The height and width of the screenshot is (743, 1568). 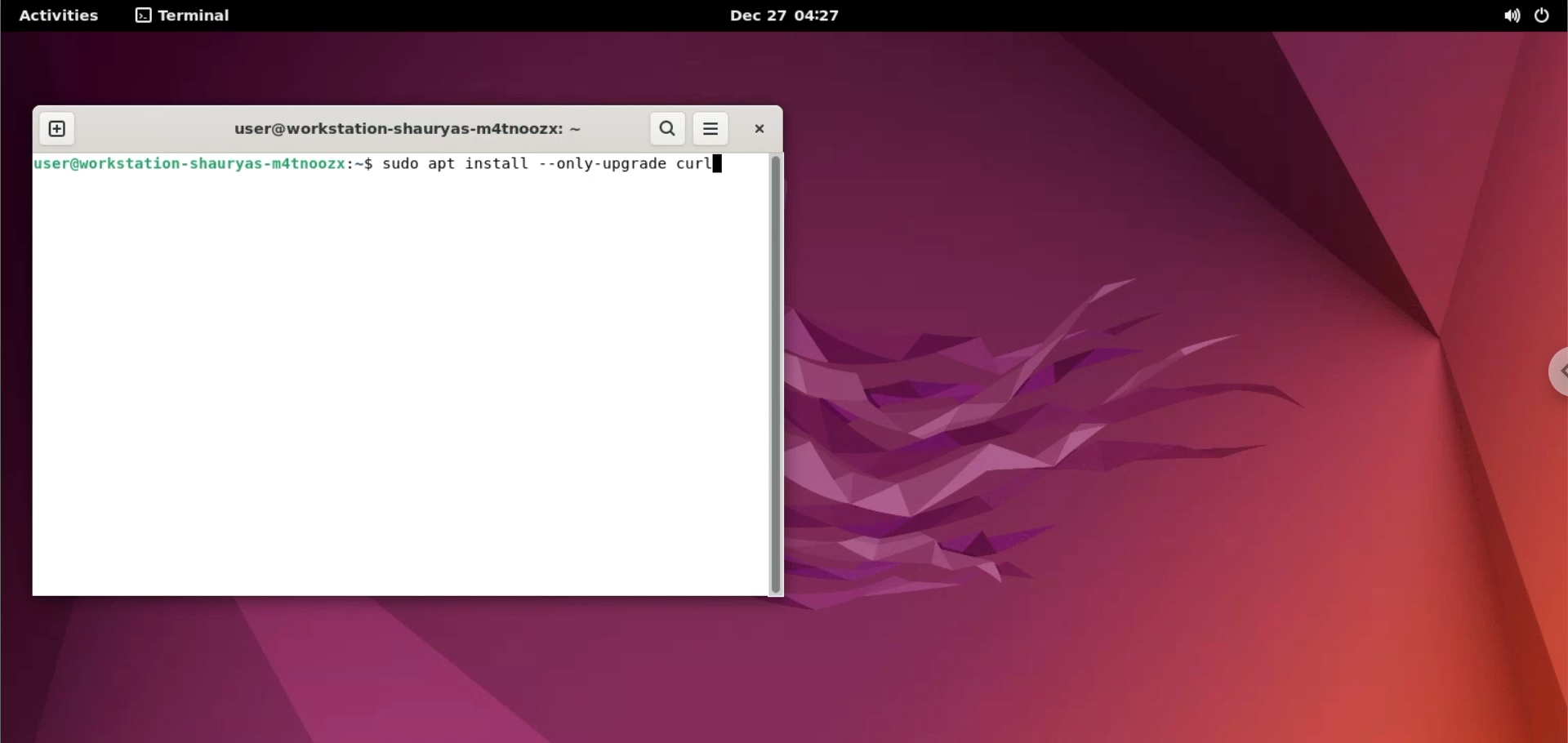 What do you see at coordinates (719, 163) in the screenshot?
I see `text indicator` at bounding box center [719, 163].